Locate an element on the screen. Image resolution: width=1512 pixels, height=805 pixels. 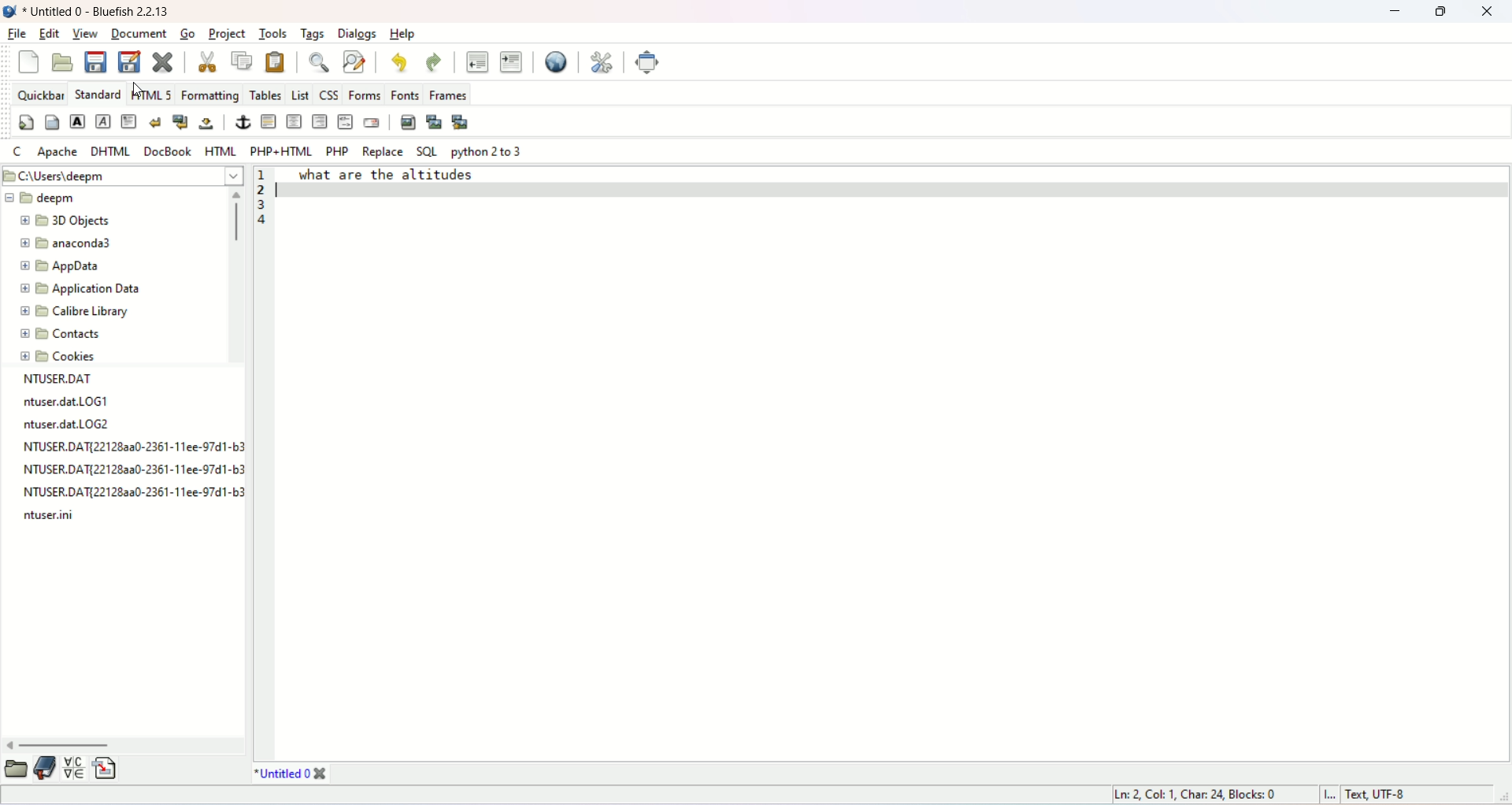
open is located at coordinates (63, 63).